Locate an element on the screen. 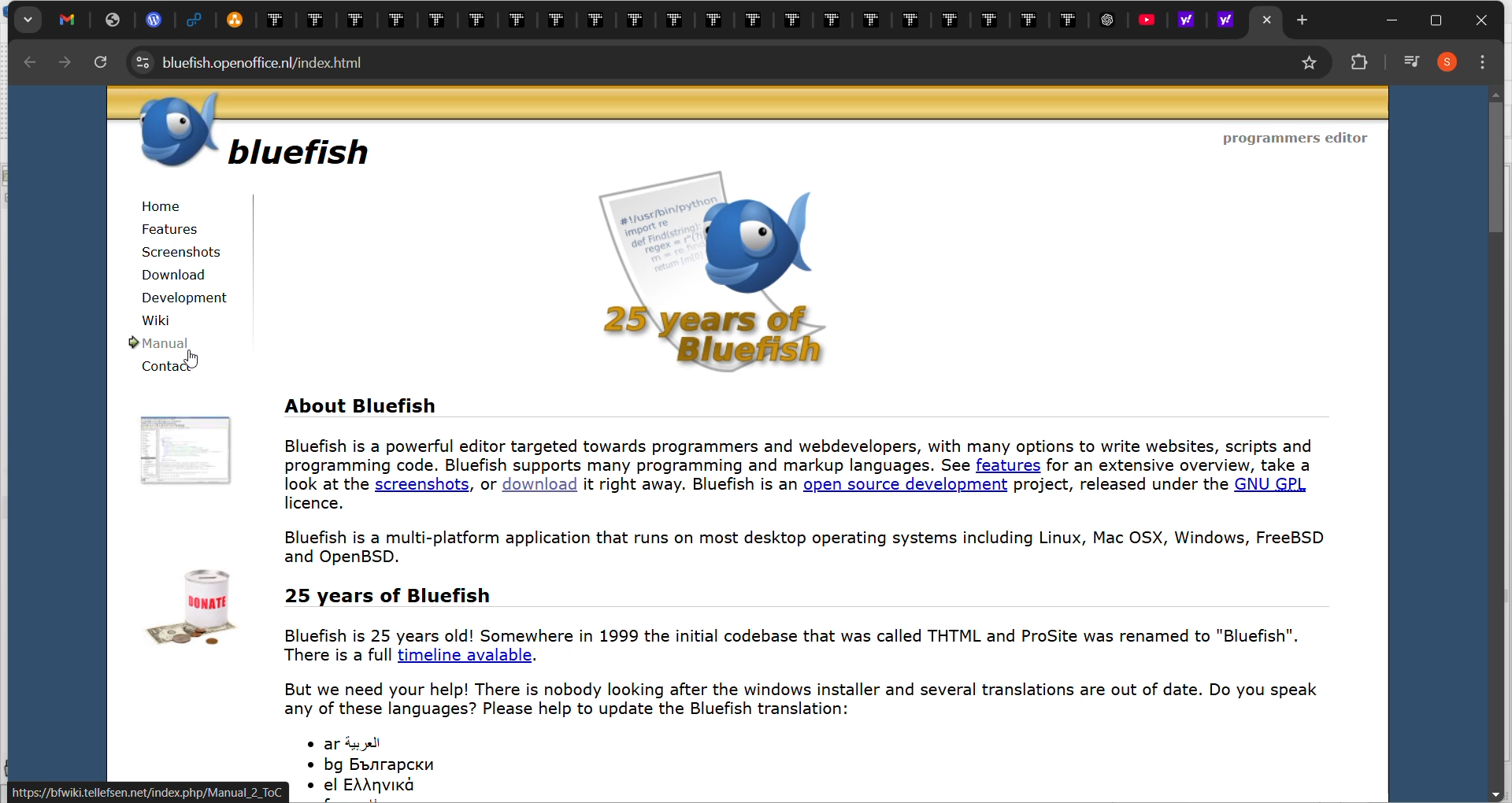 The width and height of the screenshot is (1512, 803). on screen news is located at coordinates (732, 280).